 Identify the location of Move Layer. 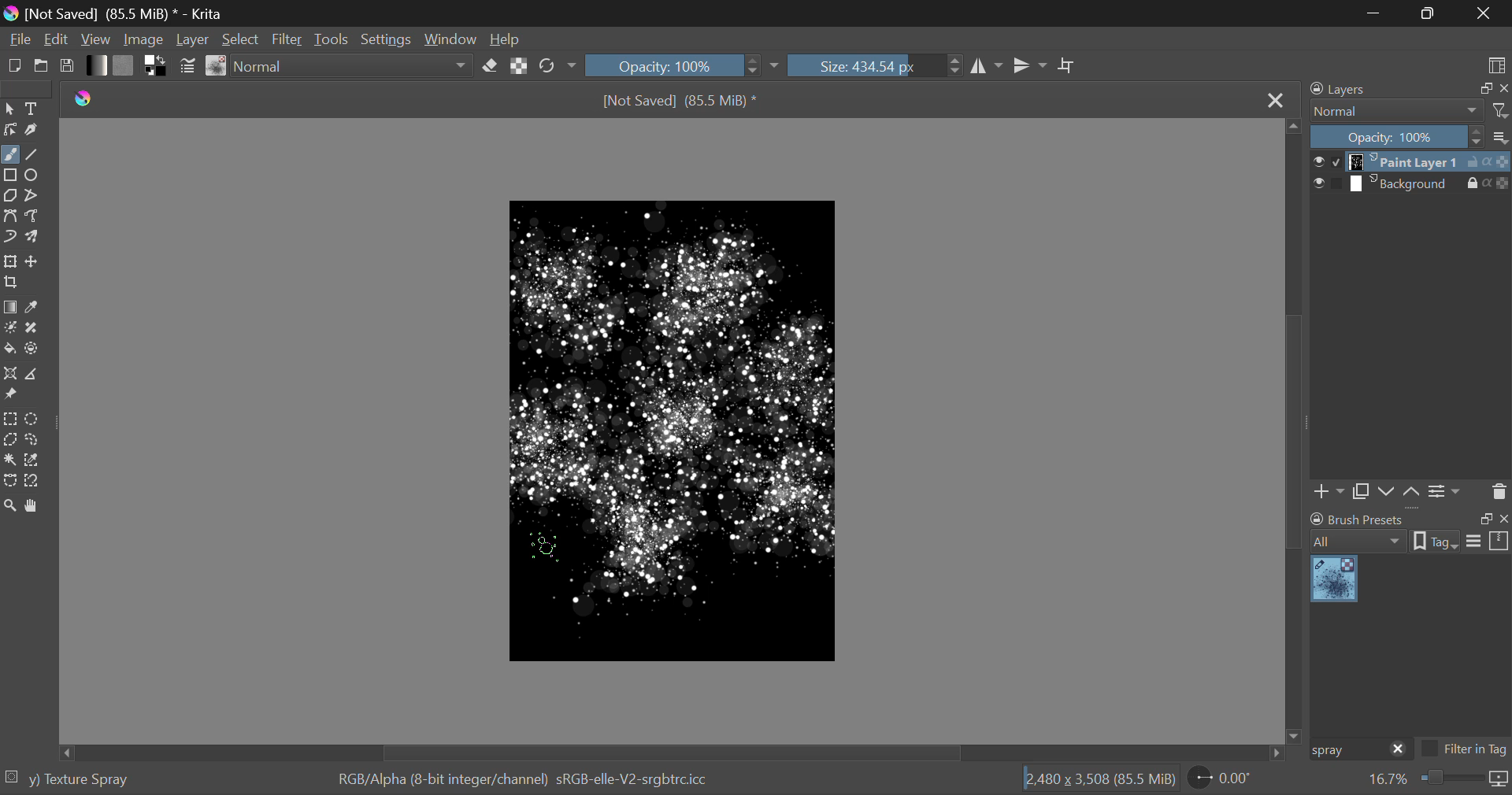
(32, 261).